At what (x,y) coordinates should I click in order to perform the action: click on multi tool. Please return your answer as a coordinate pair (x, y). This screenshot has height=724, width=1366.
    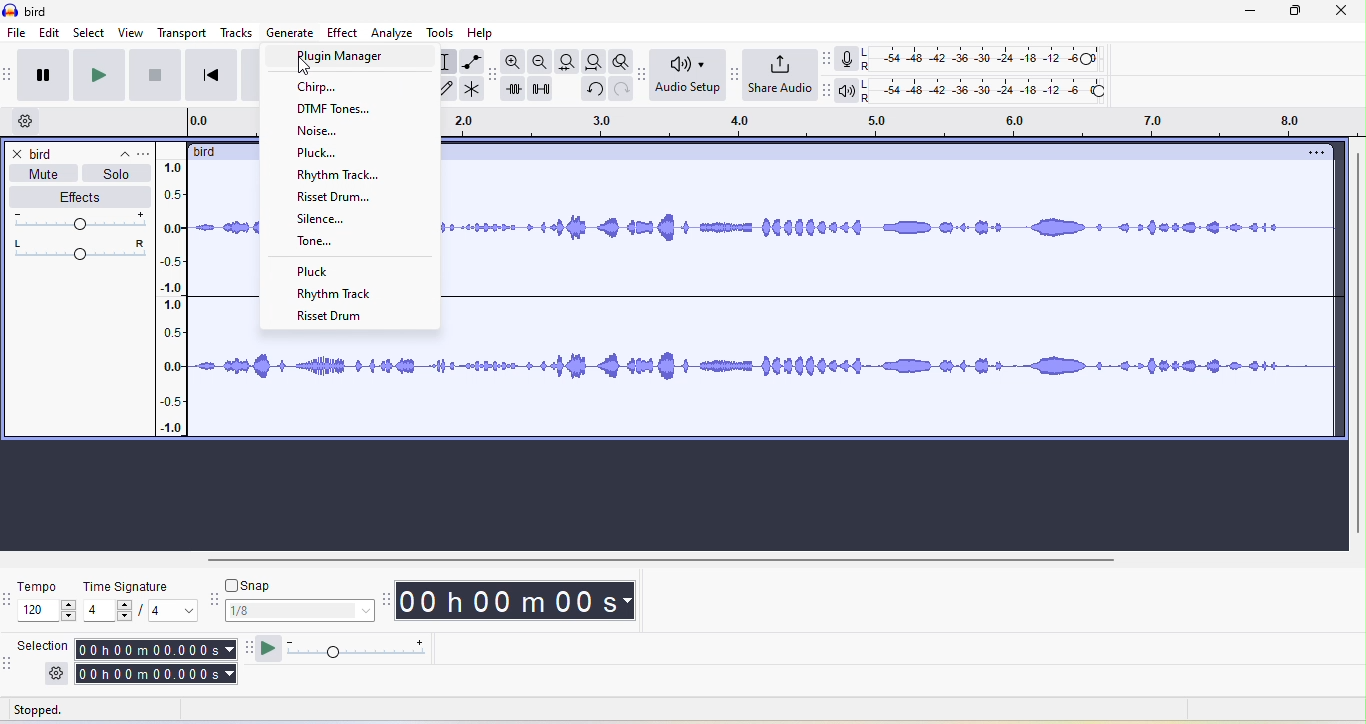
    Looking at the image, I should click on (479, 88).